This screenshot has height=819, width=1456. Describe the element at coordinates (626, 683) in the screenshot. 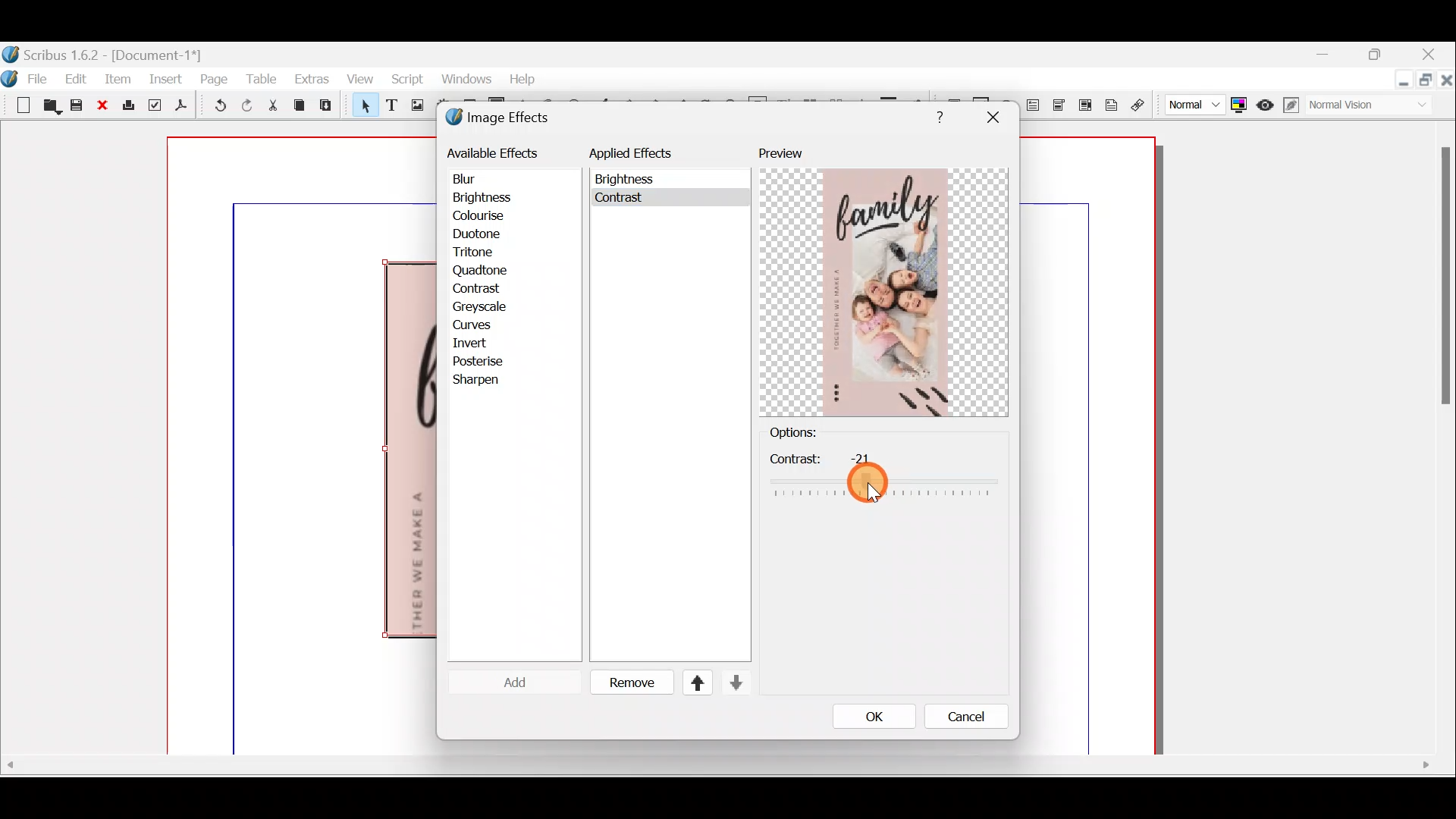

I see `Remove` at that location.